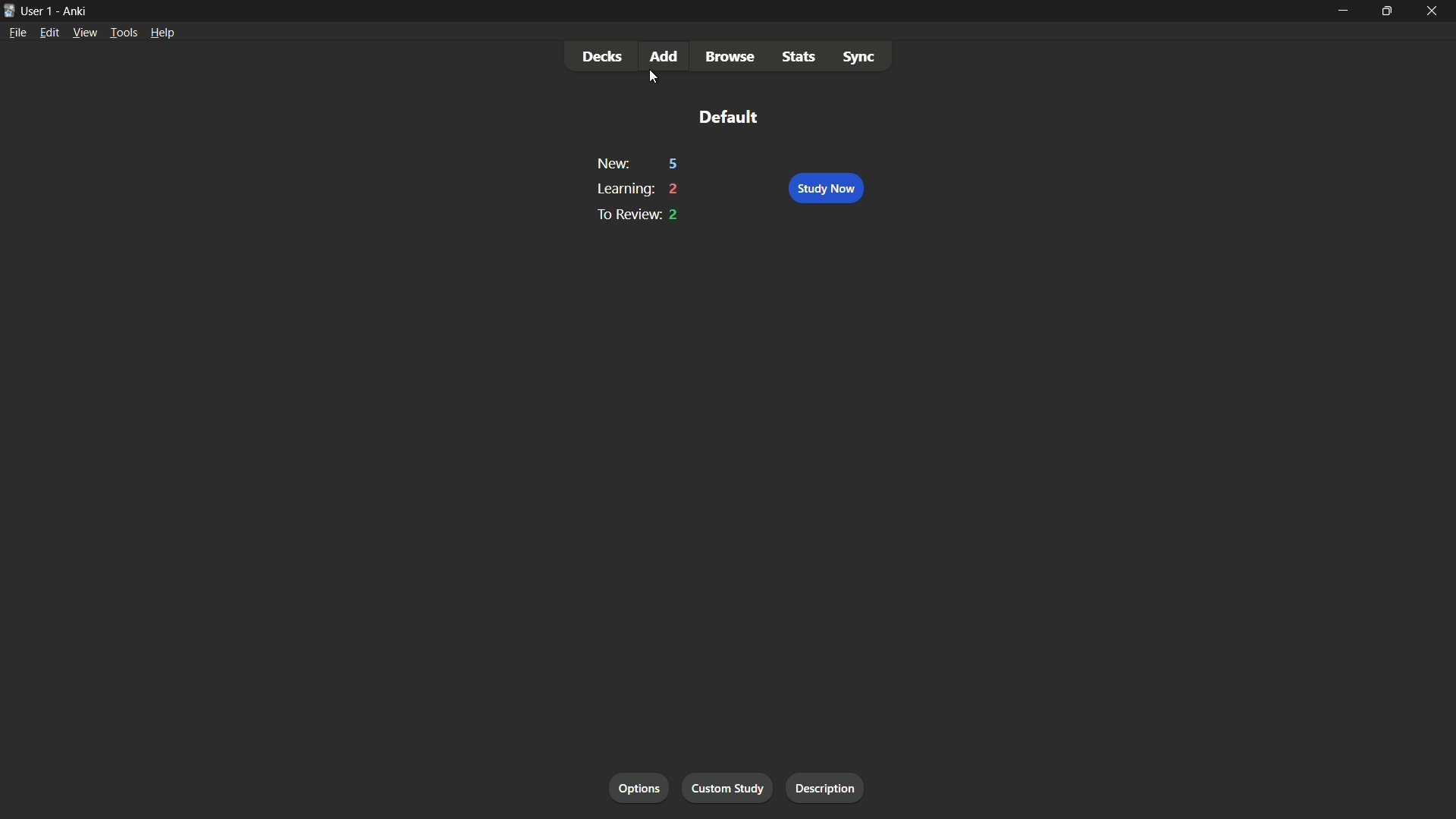 This screenshot has width=1456, height=819. What do you see at coordinates (673, 164) in the screenshot?
I see `5` at bounding box center [673, 164].